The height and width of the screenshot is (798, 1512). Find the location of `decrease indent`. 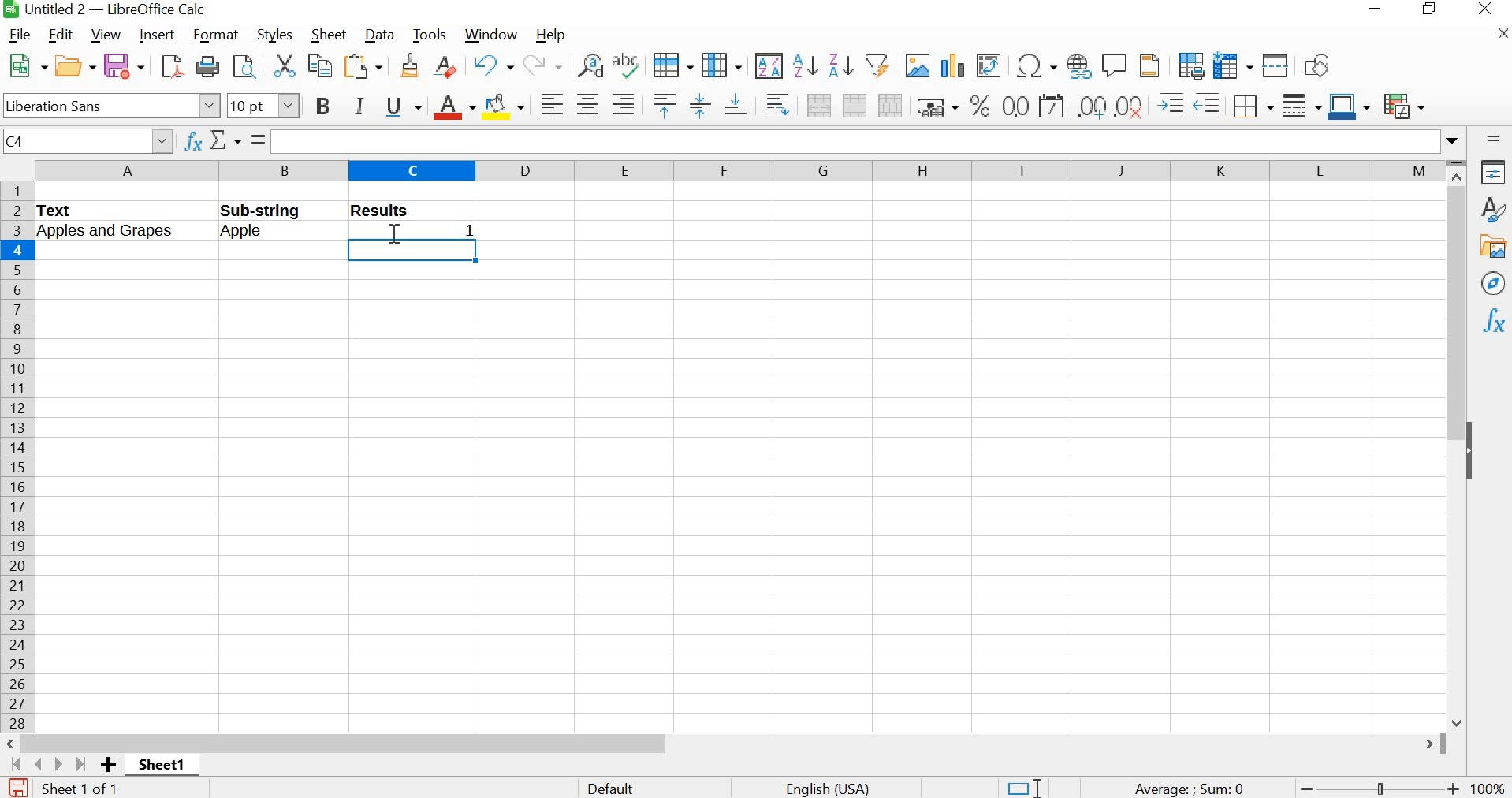

decrease indent is located at coordinates (1207, 104).